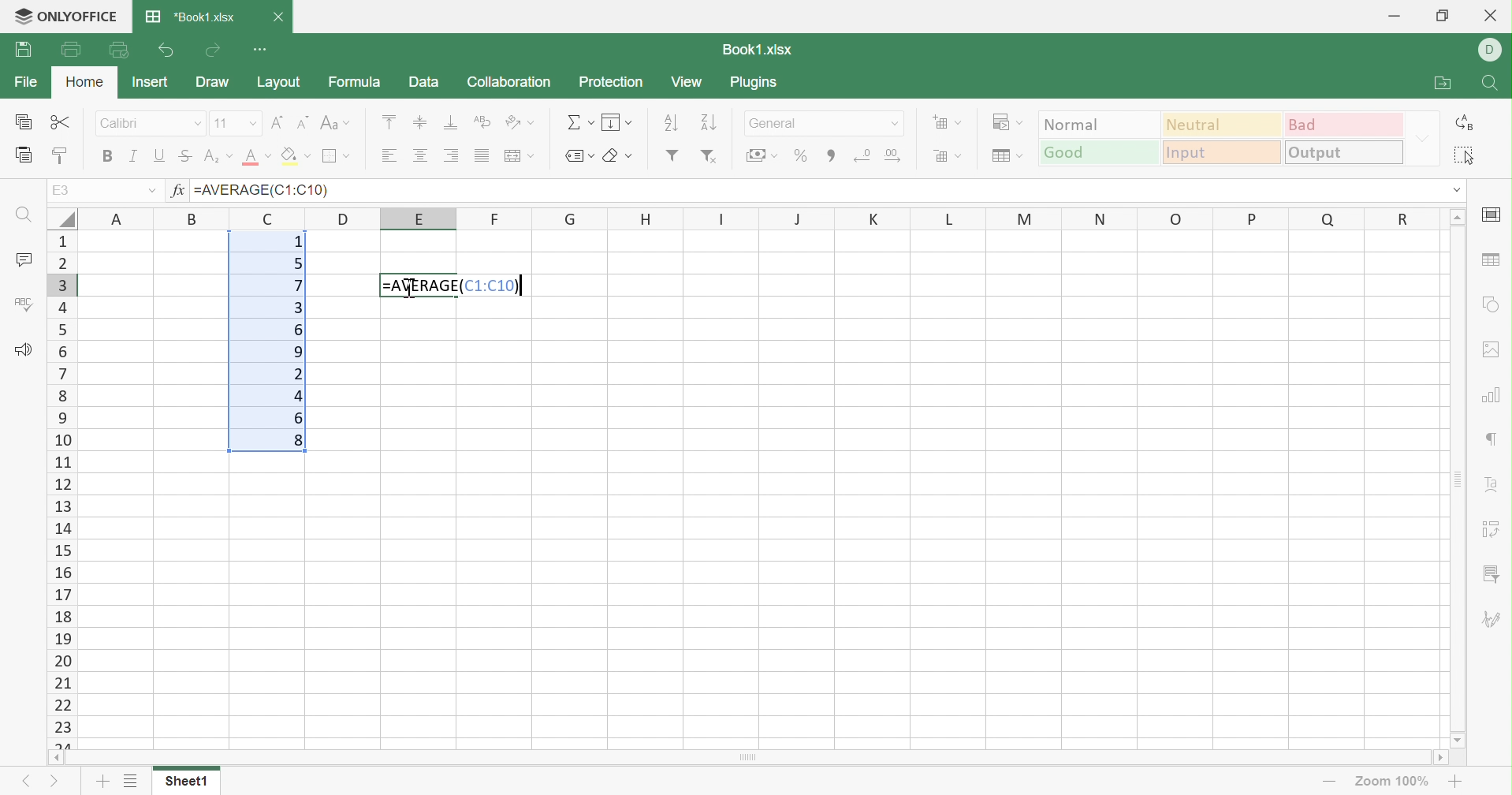 The image size is (1512, 795). I want to click on chart settings, so click(1494, 396).